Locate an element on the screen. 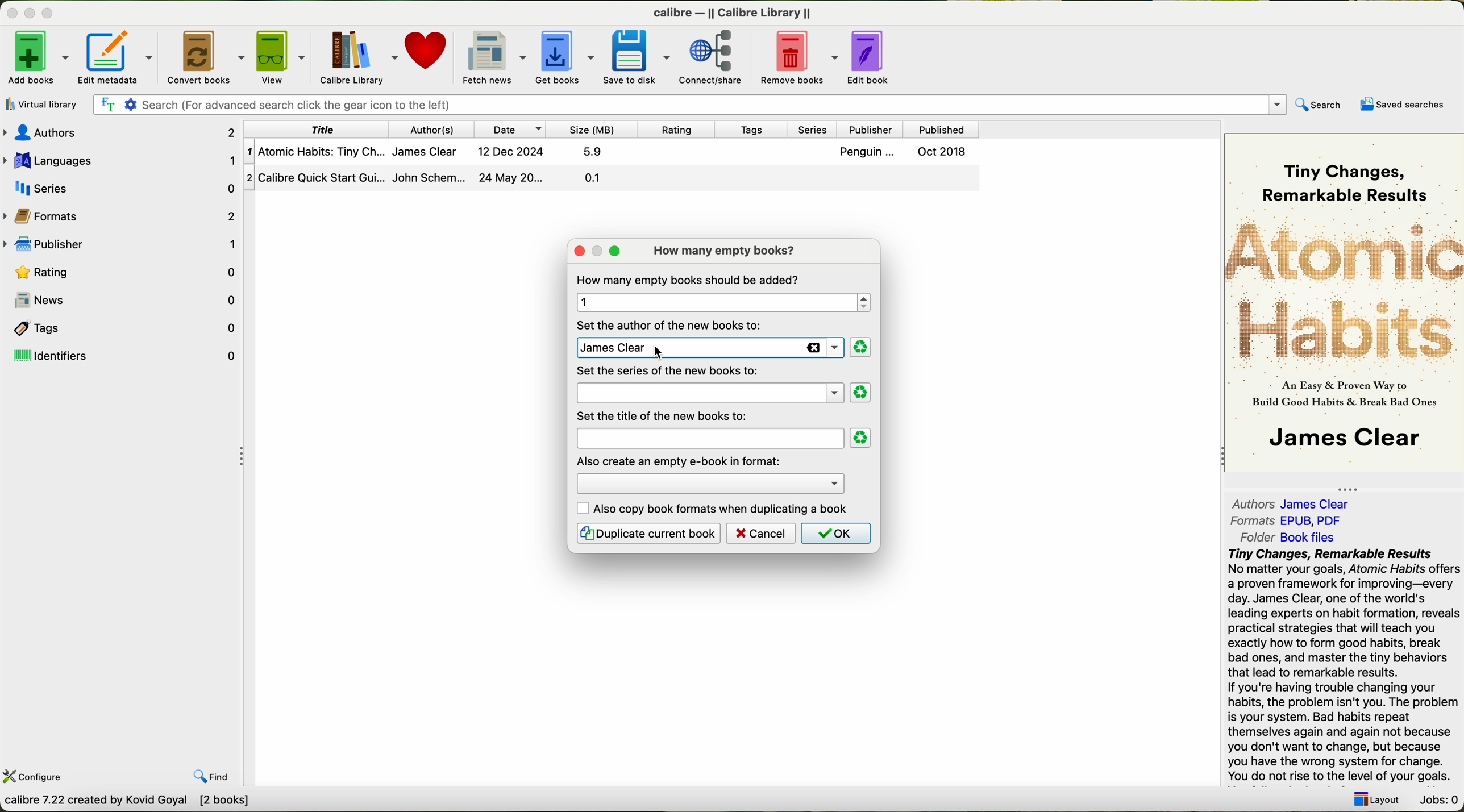  connect/share is located at coordinates (714, 58).